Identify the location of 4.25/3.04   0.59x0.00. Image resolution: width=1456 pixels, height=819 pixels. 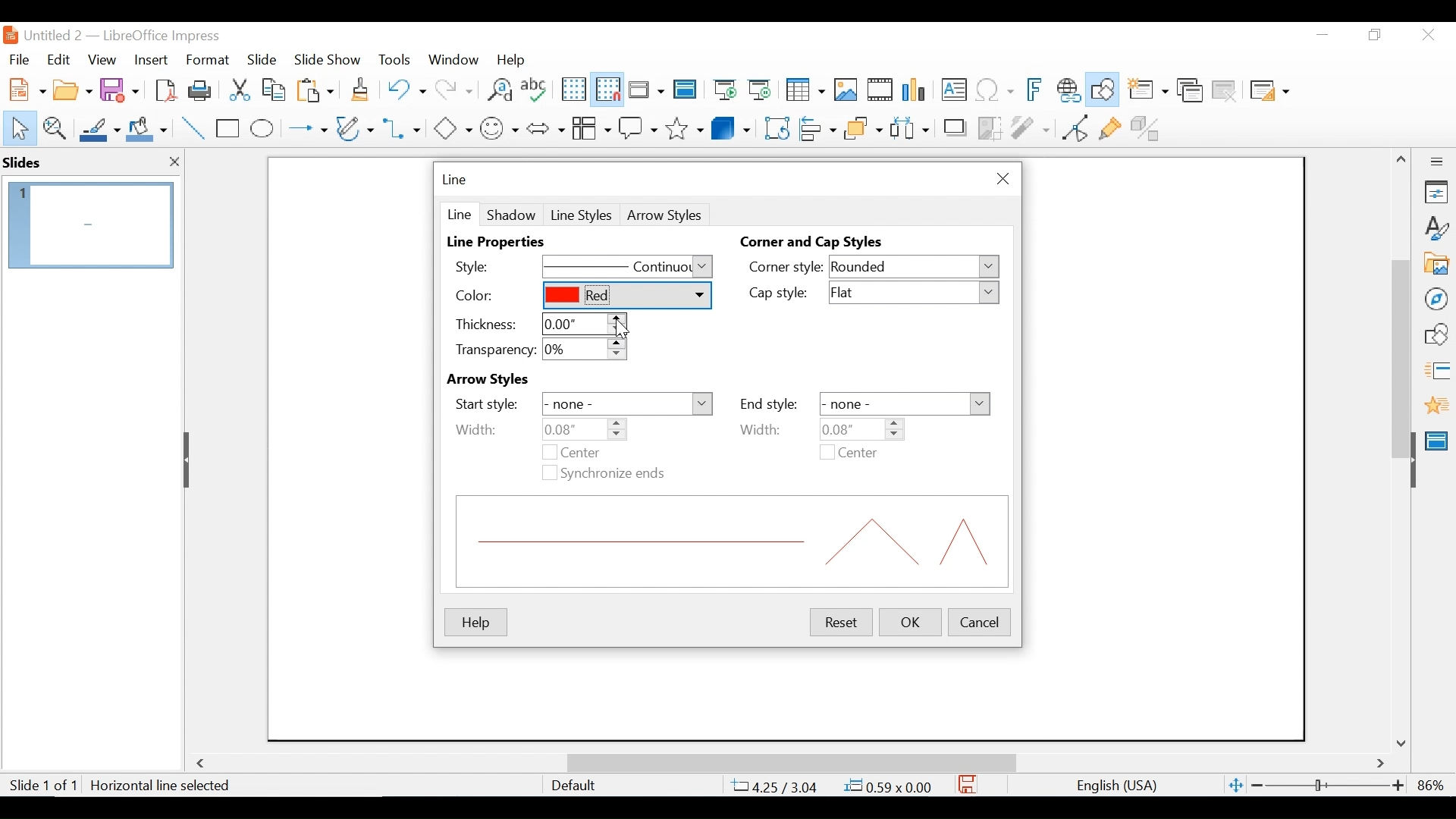
(833, 786).